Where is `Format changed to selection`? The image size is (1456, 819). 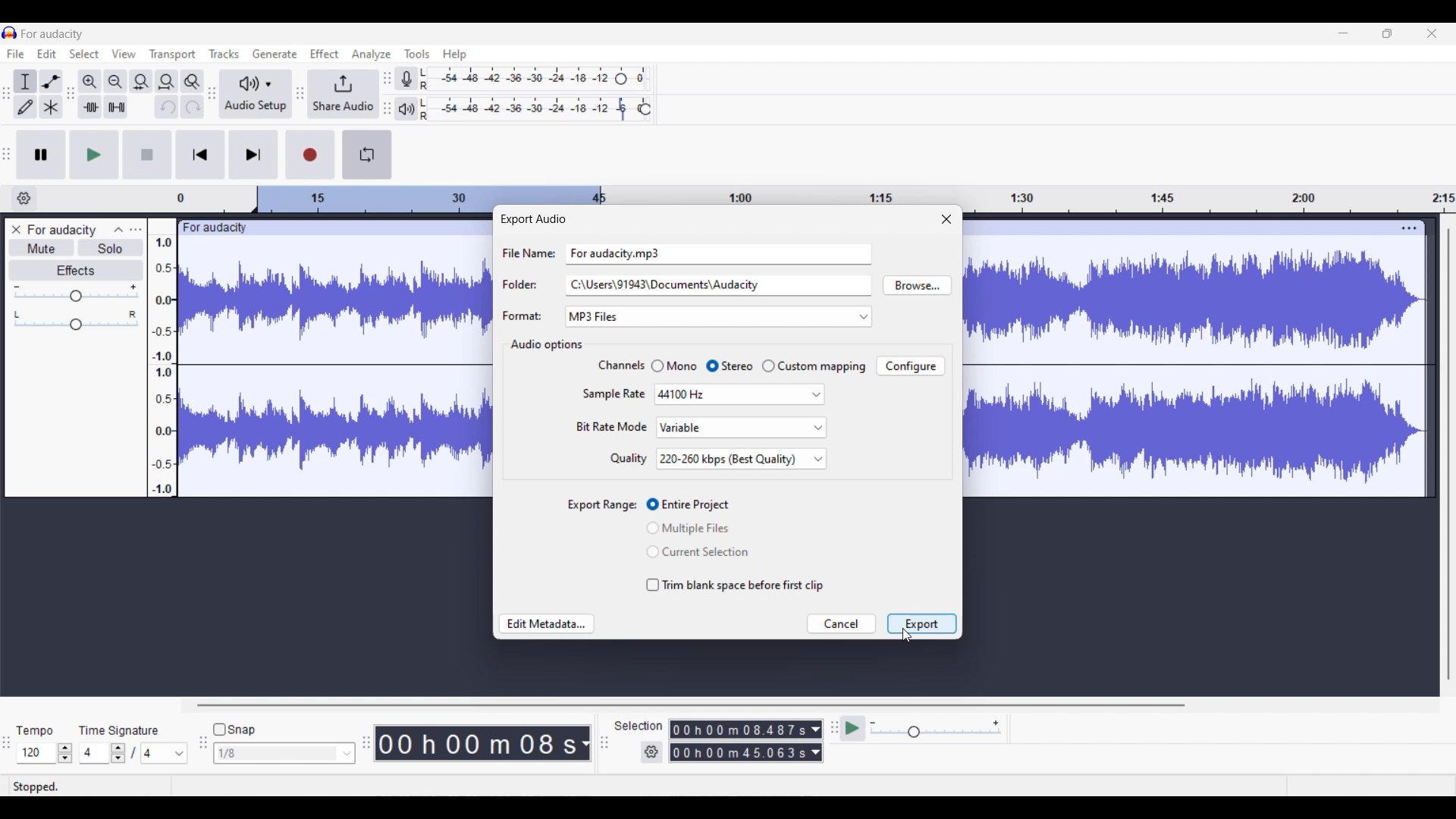 Format changed to selection is located at coordinates (595, 317).